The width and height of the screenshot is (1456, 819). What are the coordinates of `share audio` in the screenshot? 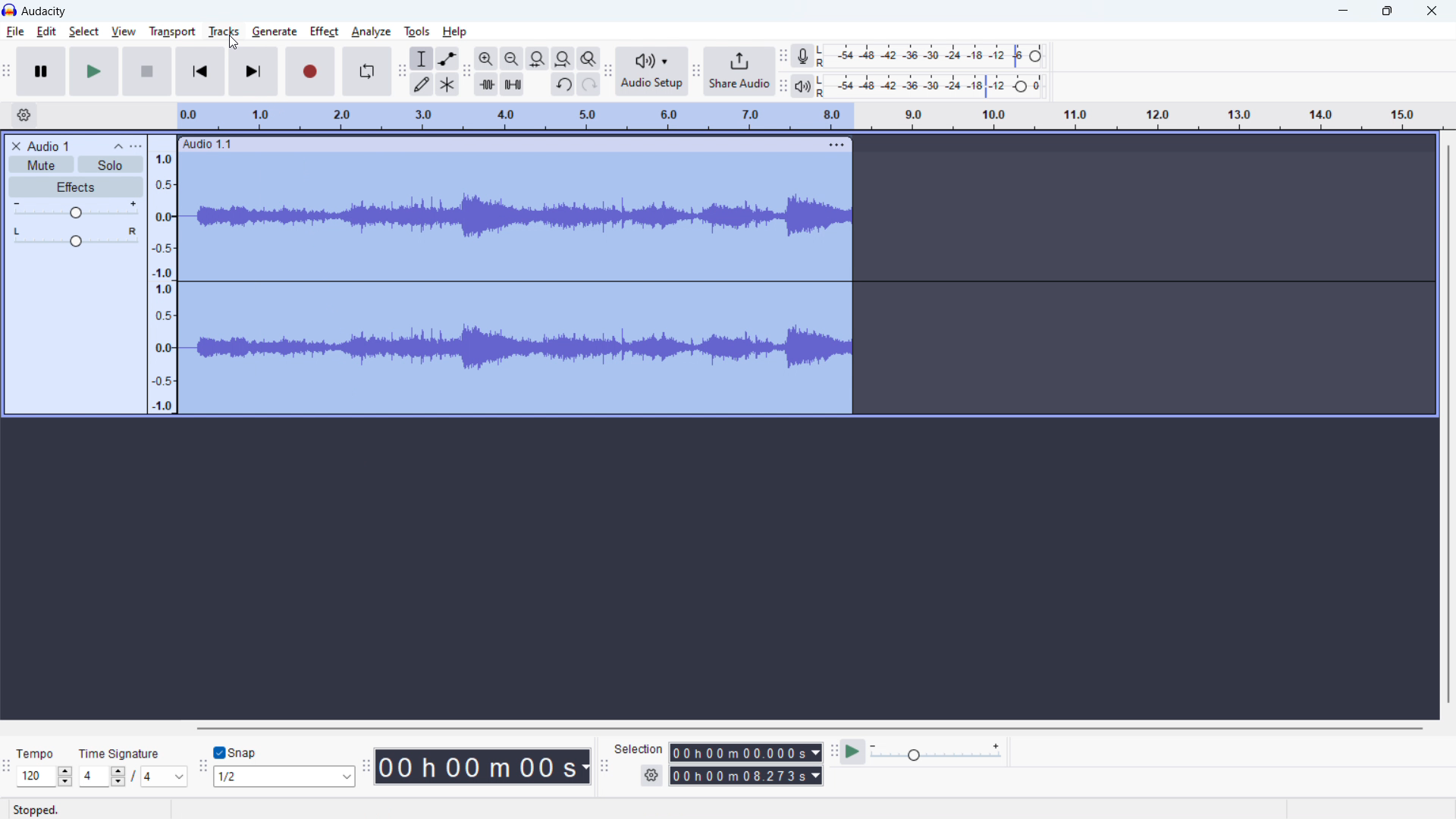 It's located at (740, 71).